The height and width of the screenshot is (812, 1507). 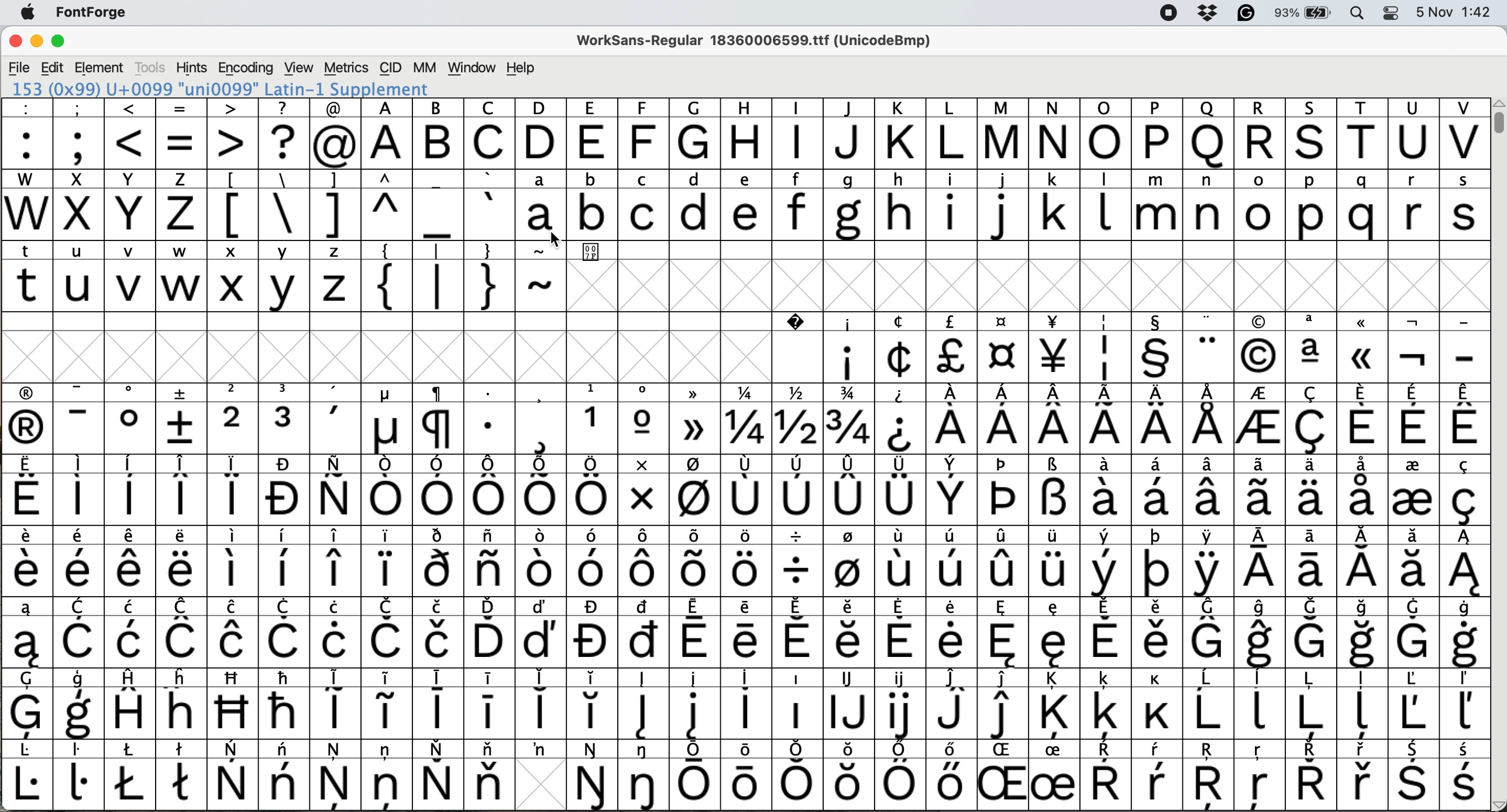 What do you see at coordinates (593, 633) in the screenshot?
I see `symbol` at bounding box center [593, 633].